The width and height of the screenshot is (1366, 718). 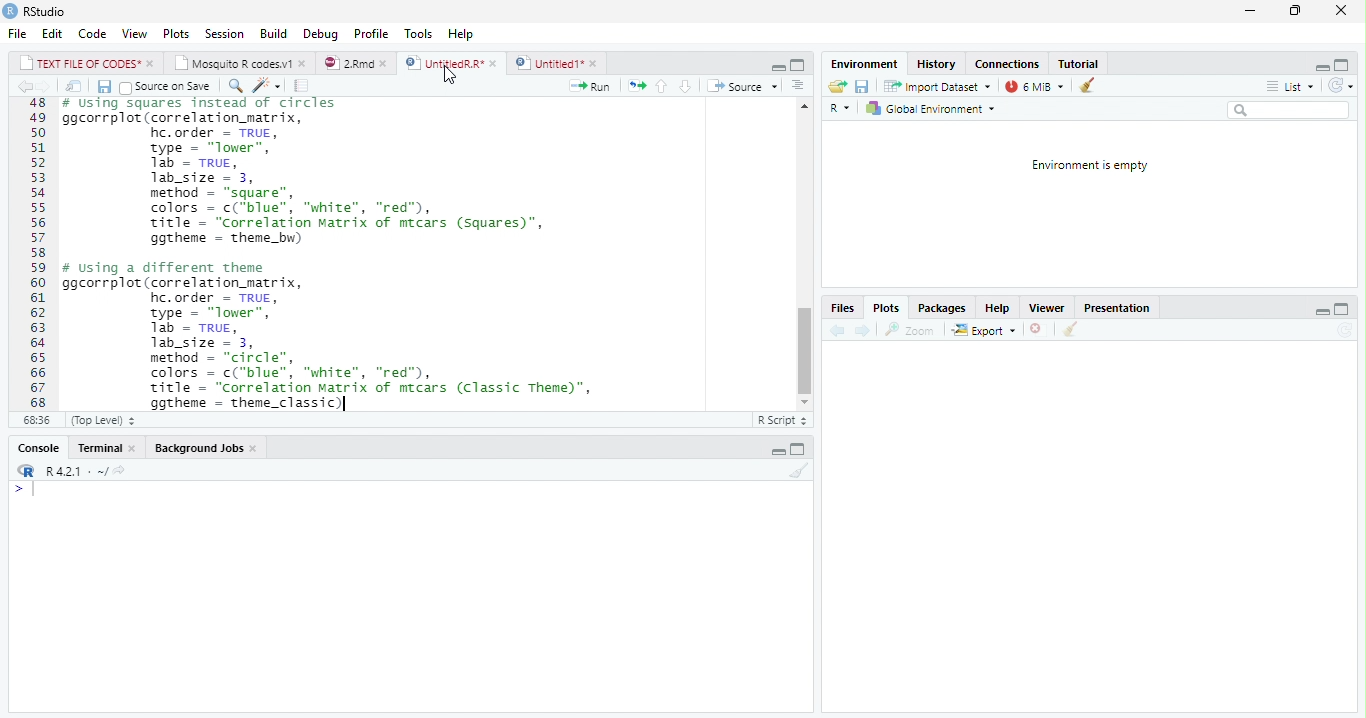 I want to click on Help, so click(x=1000, y=308).